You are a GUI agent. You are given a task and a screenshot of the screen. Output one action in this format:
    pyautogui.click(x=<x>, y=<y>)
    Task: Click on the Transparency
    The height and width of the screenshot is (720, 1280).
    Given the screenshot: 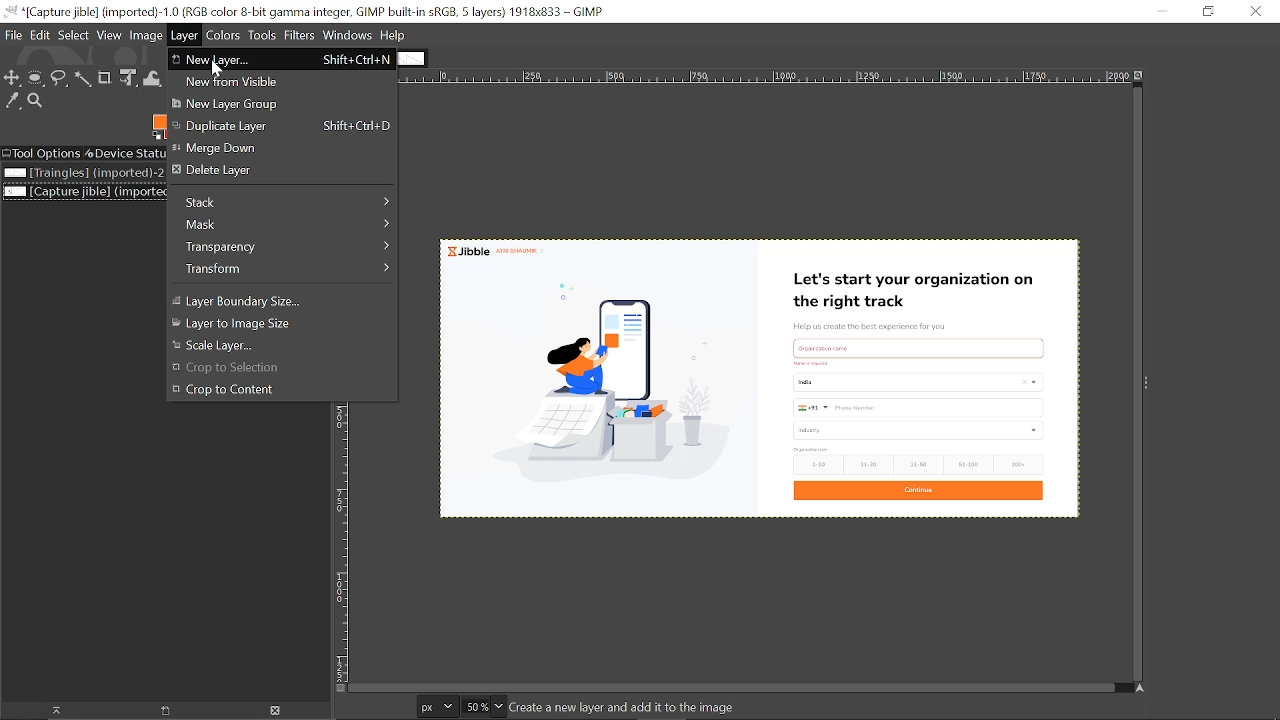 What is the action you would take?
    pyautogui.click(x=286, y=246)
    